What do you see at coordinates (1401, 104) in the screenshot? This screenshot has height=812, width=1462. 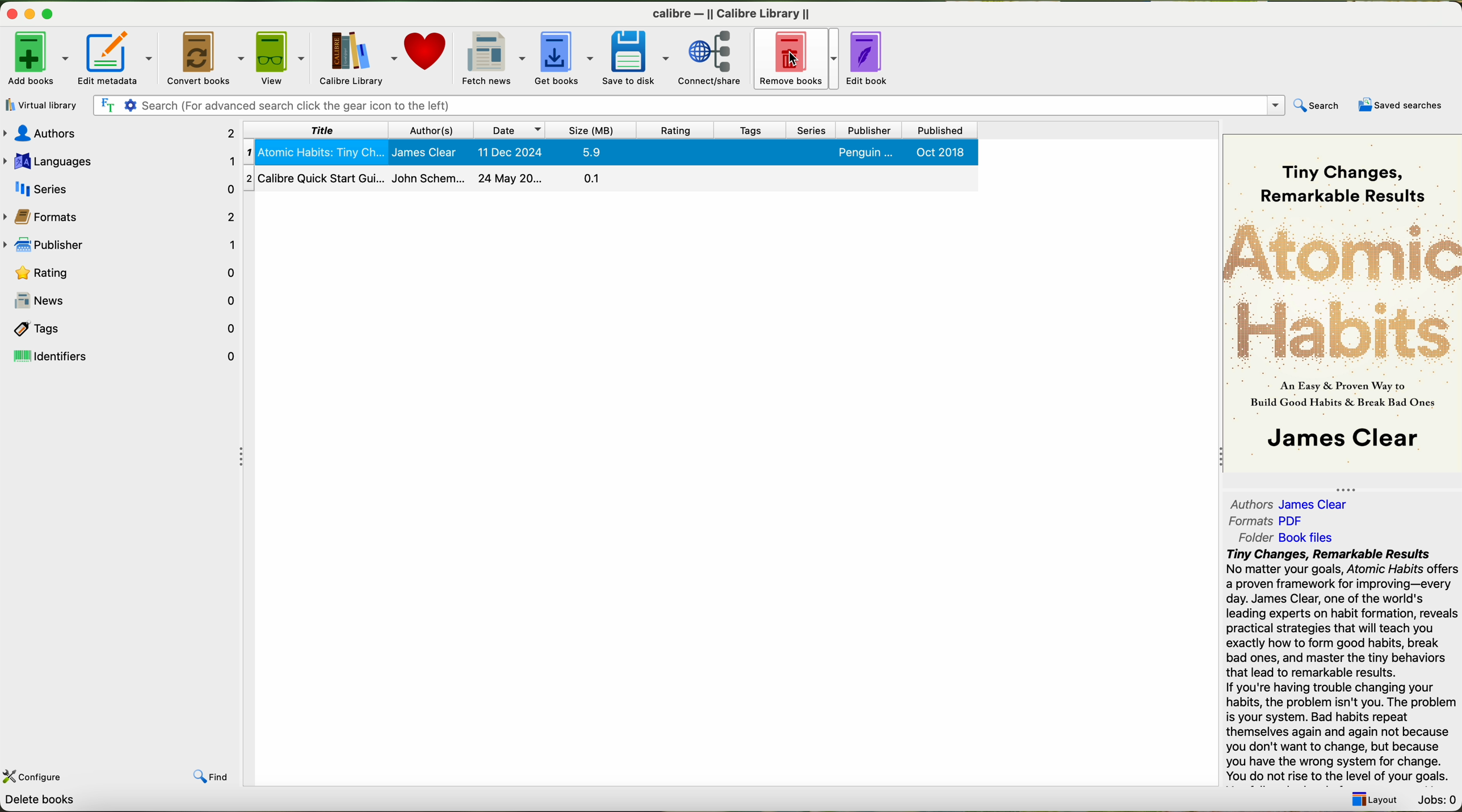 I see `saved searches` at bounding box center [1401, 104].